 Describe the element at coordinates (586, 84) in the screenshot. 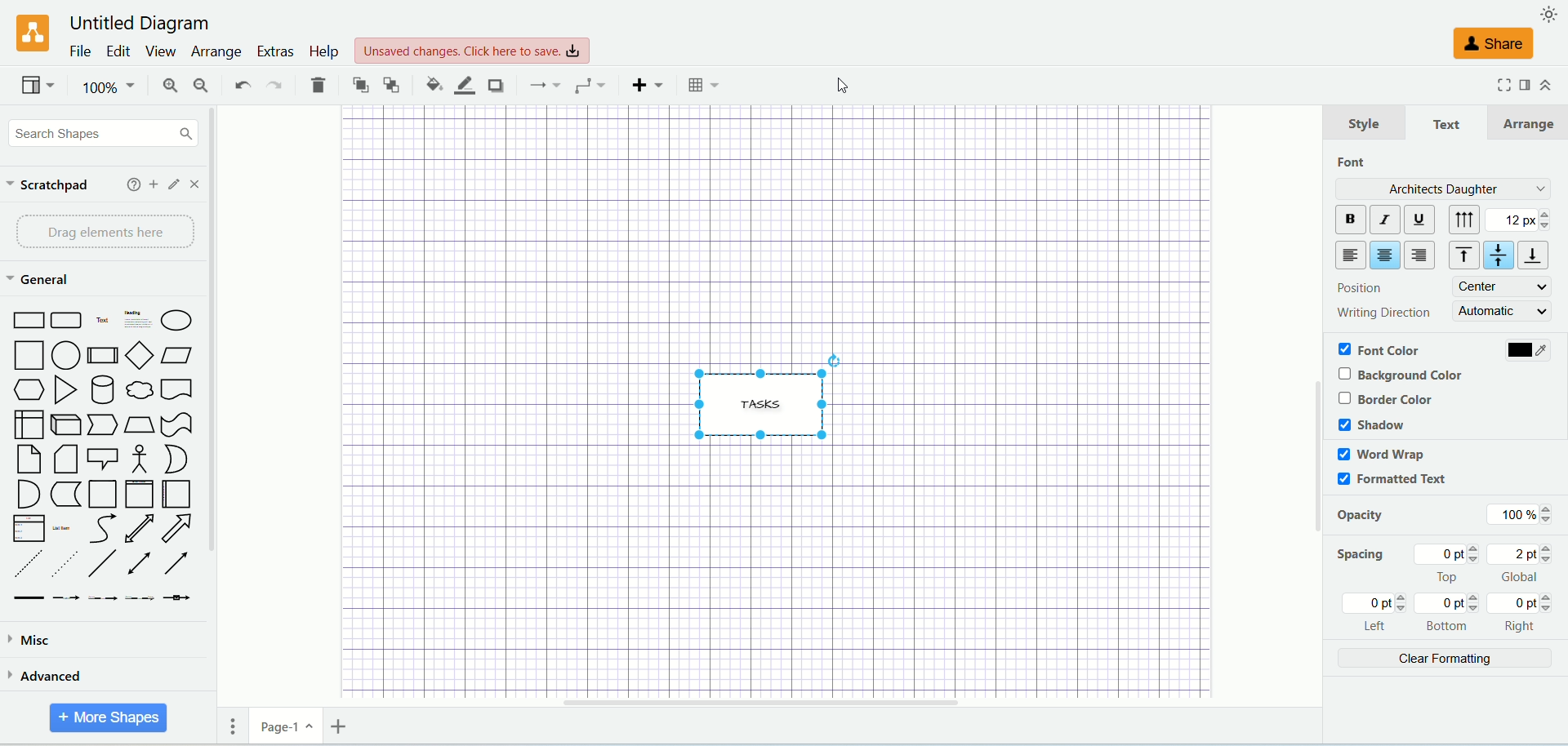

I see `waypoint` at that location.